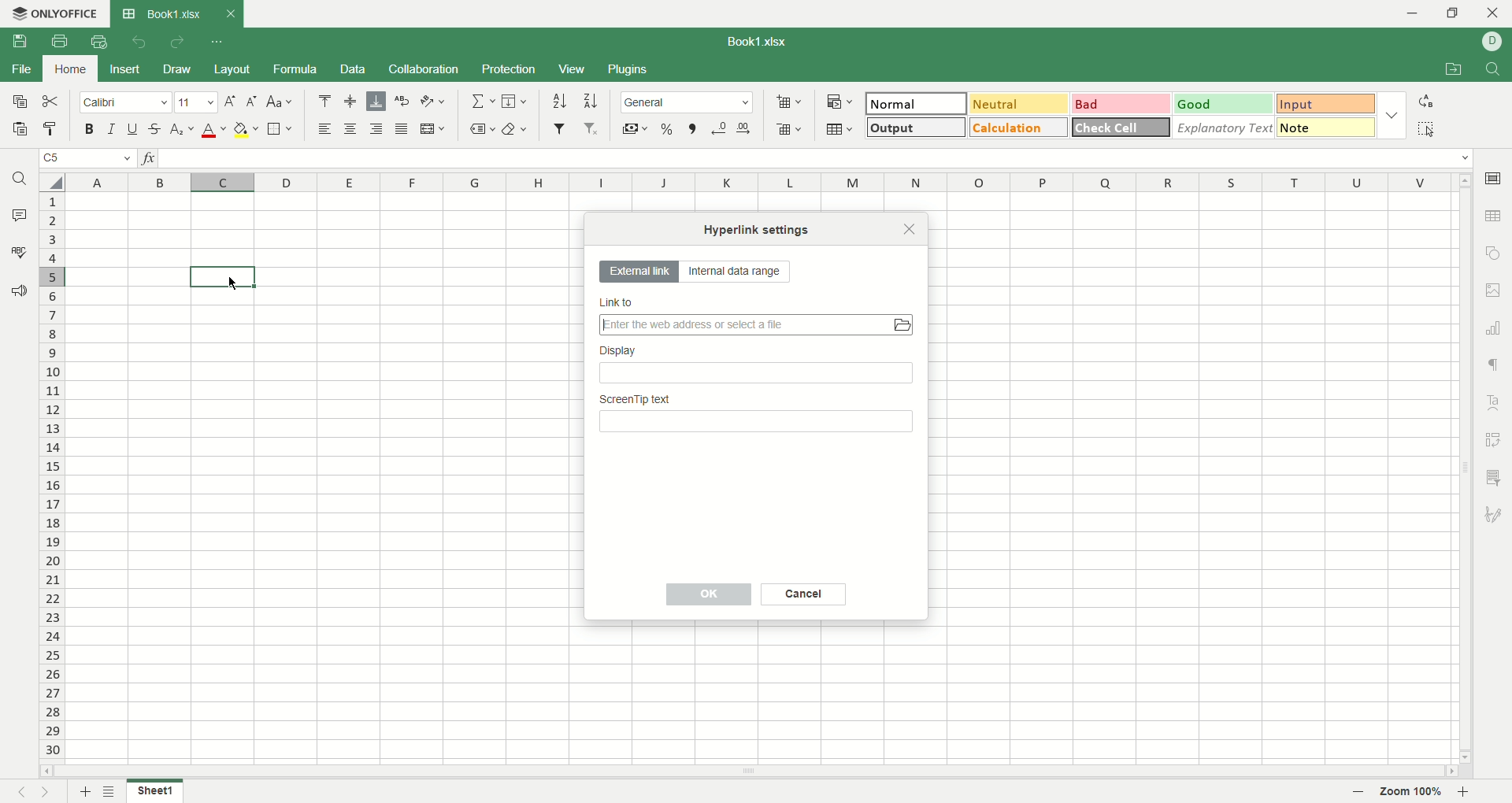 This screenshot has height=803, width=1512. I want to click on protection, so click(510, 68).